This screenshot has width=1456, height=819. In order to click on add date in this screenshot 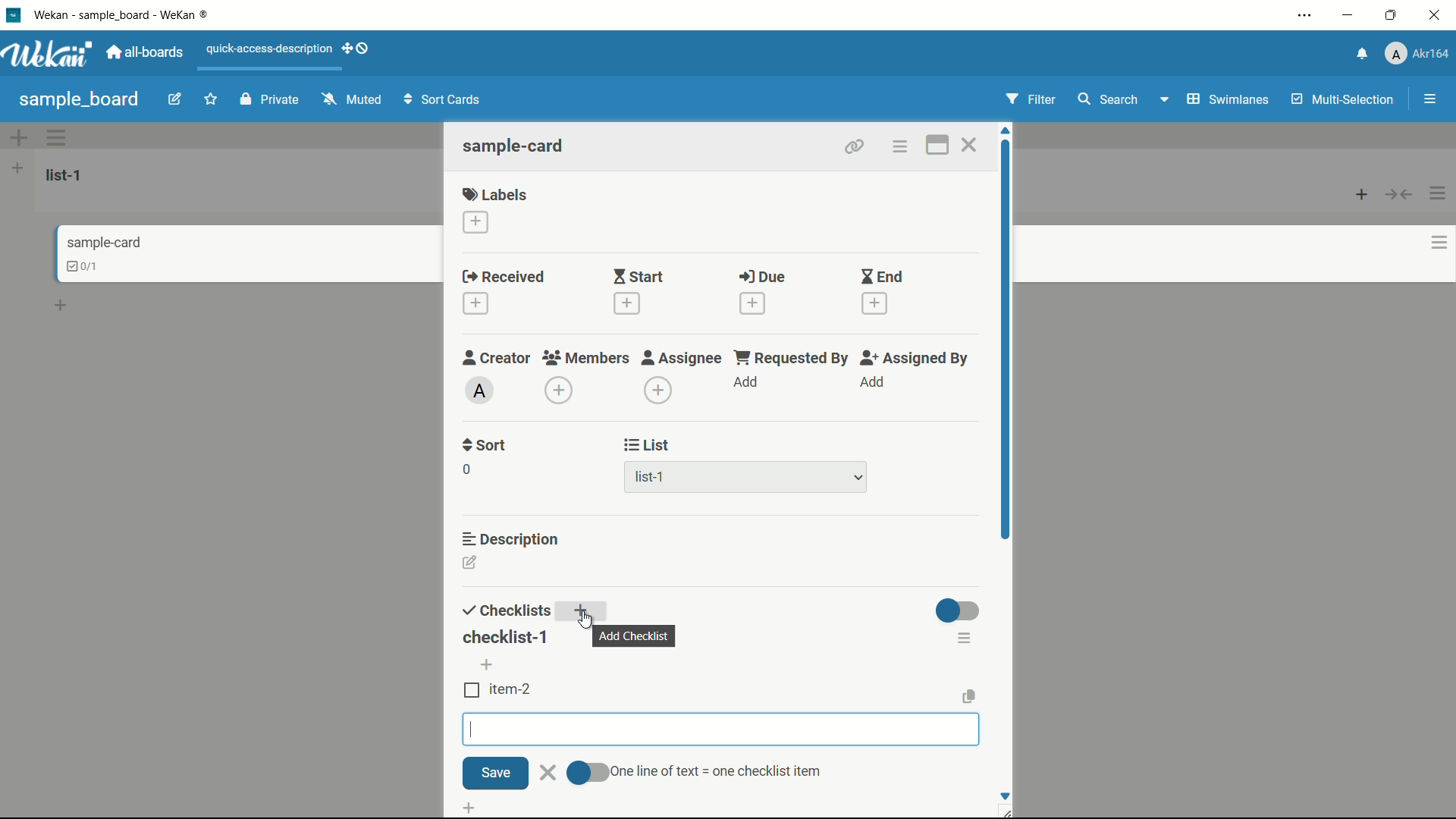, I will do `click(875, 304)`.